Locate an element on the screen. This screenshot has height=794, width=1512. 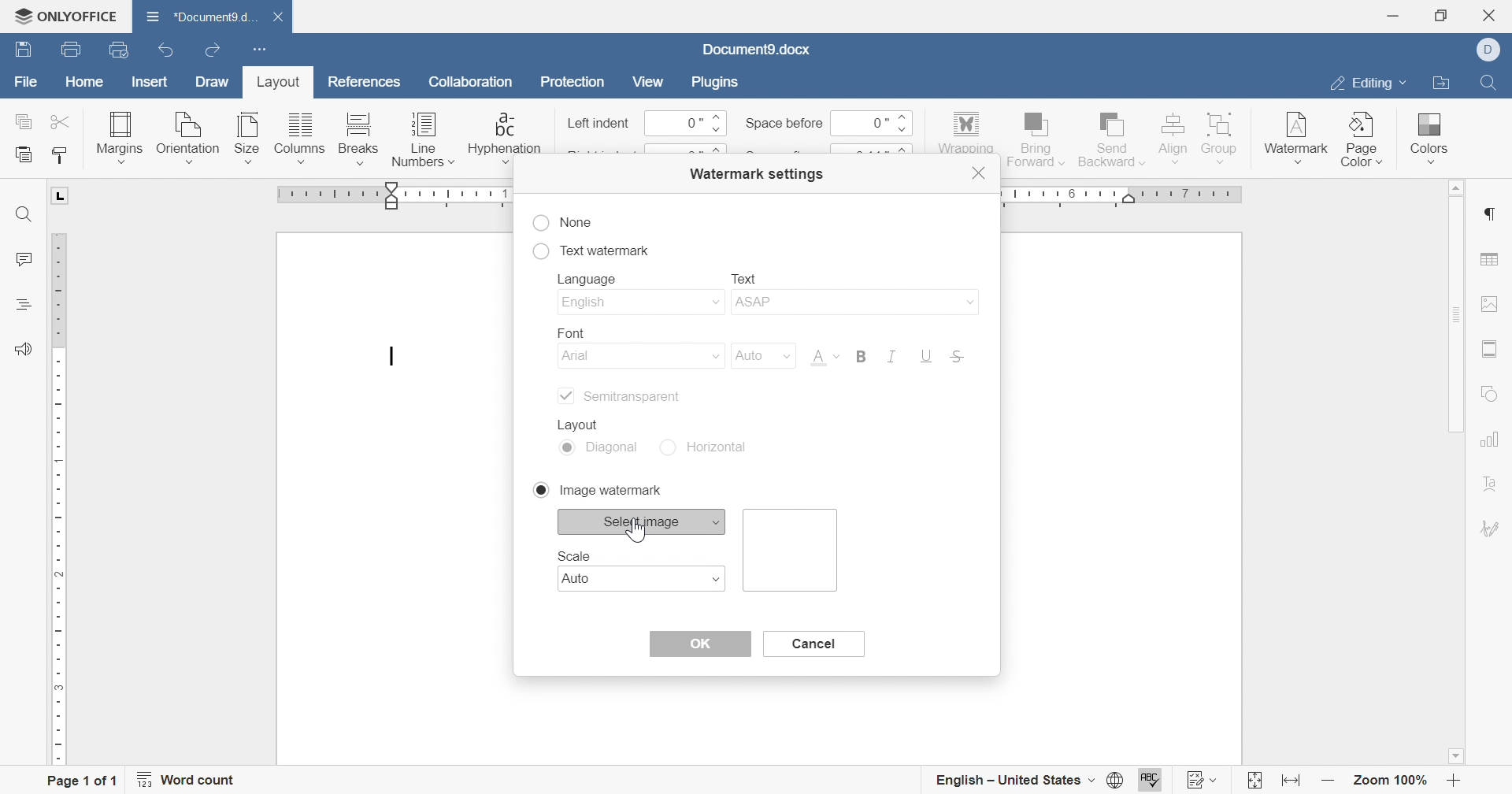
page 1 of 1 is located at coordinates (81, 782).